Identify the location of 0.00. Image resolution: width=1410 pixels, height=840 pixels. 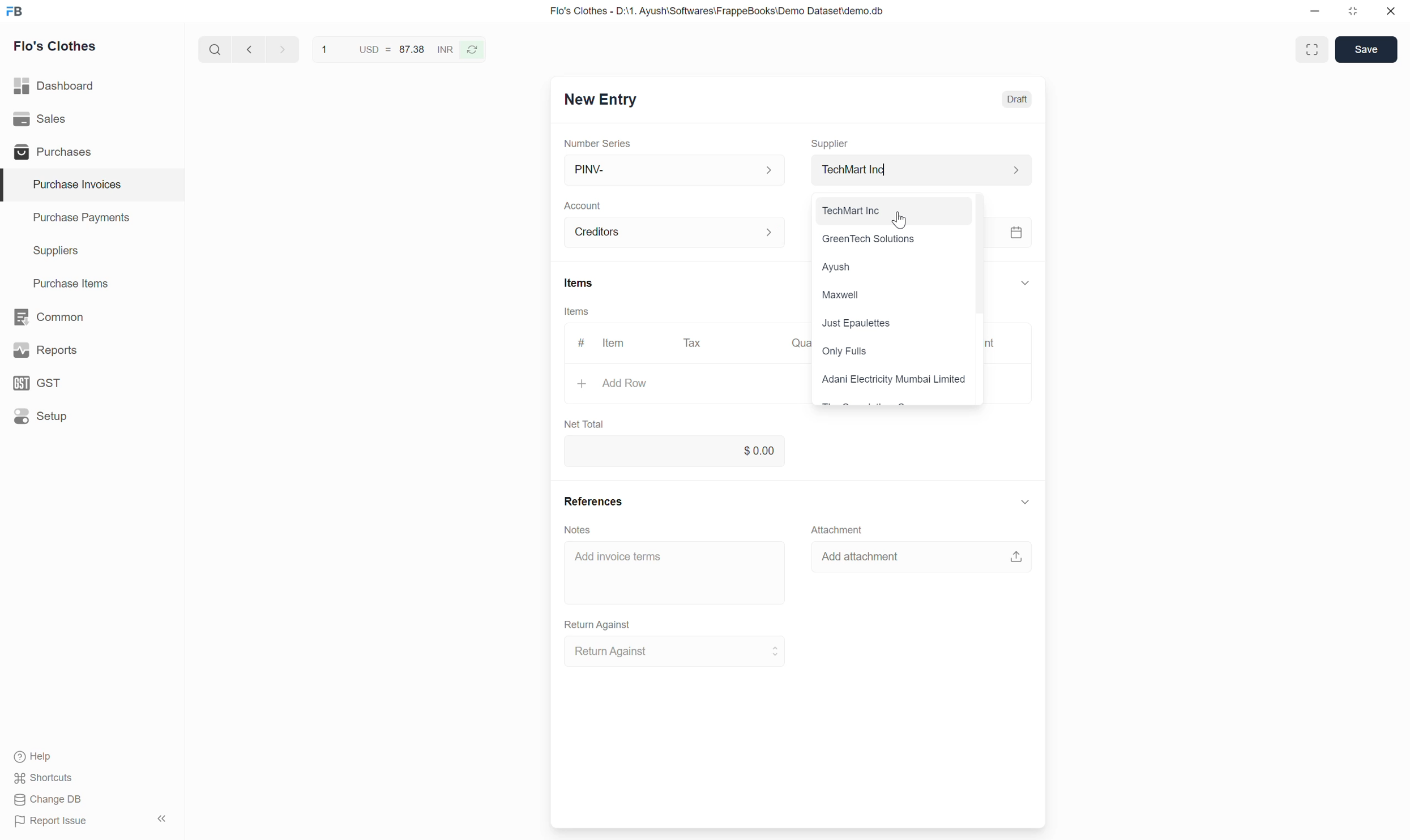
(677, 451).